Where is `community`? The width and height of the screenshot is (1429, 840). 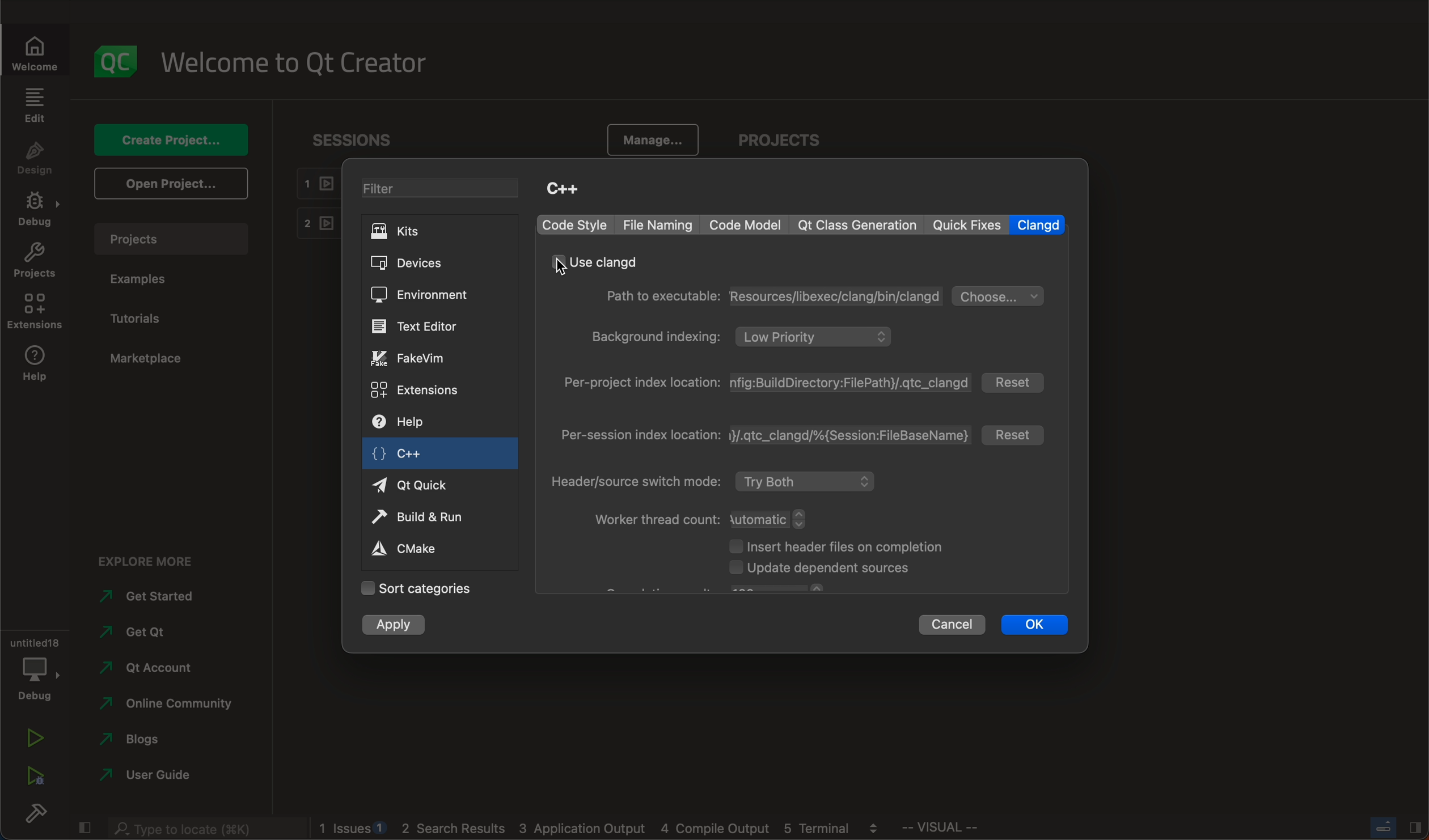 community is located at coordinates (171, 705).